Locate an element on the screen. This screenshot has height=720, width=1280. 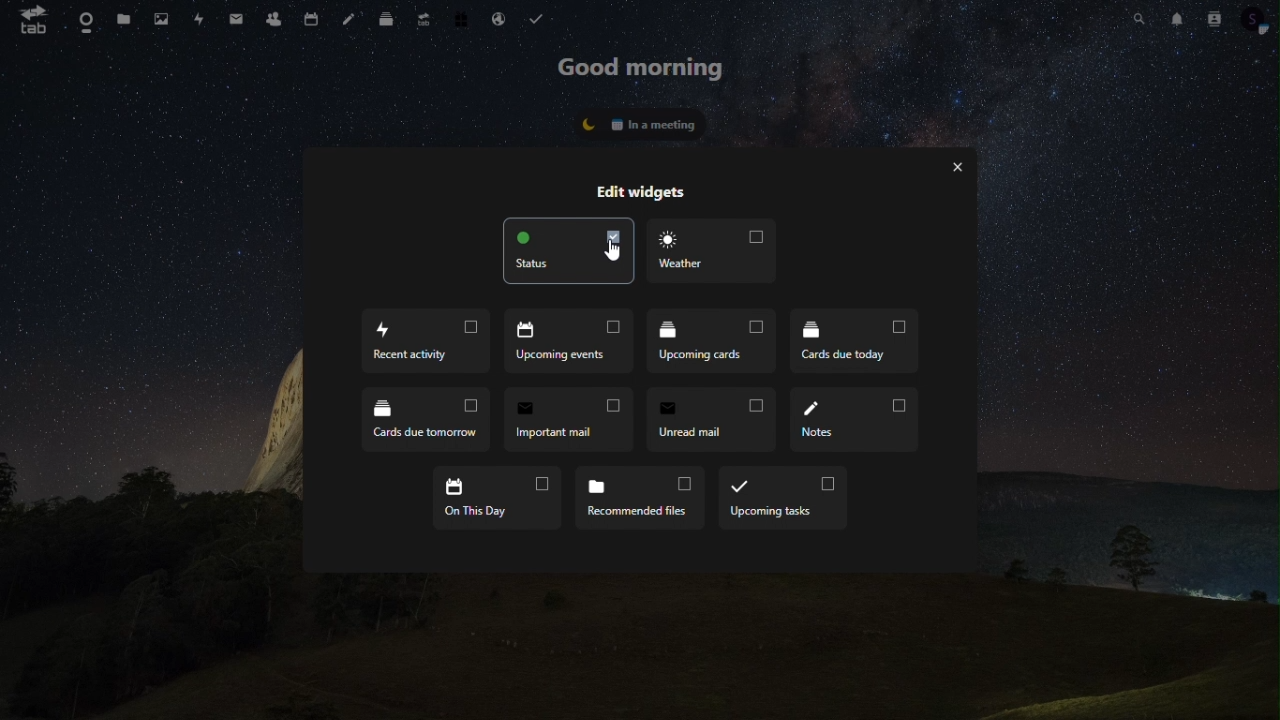
image is located at coordinates (166, 20).